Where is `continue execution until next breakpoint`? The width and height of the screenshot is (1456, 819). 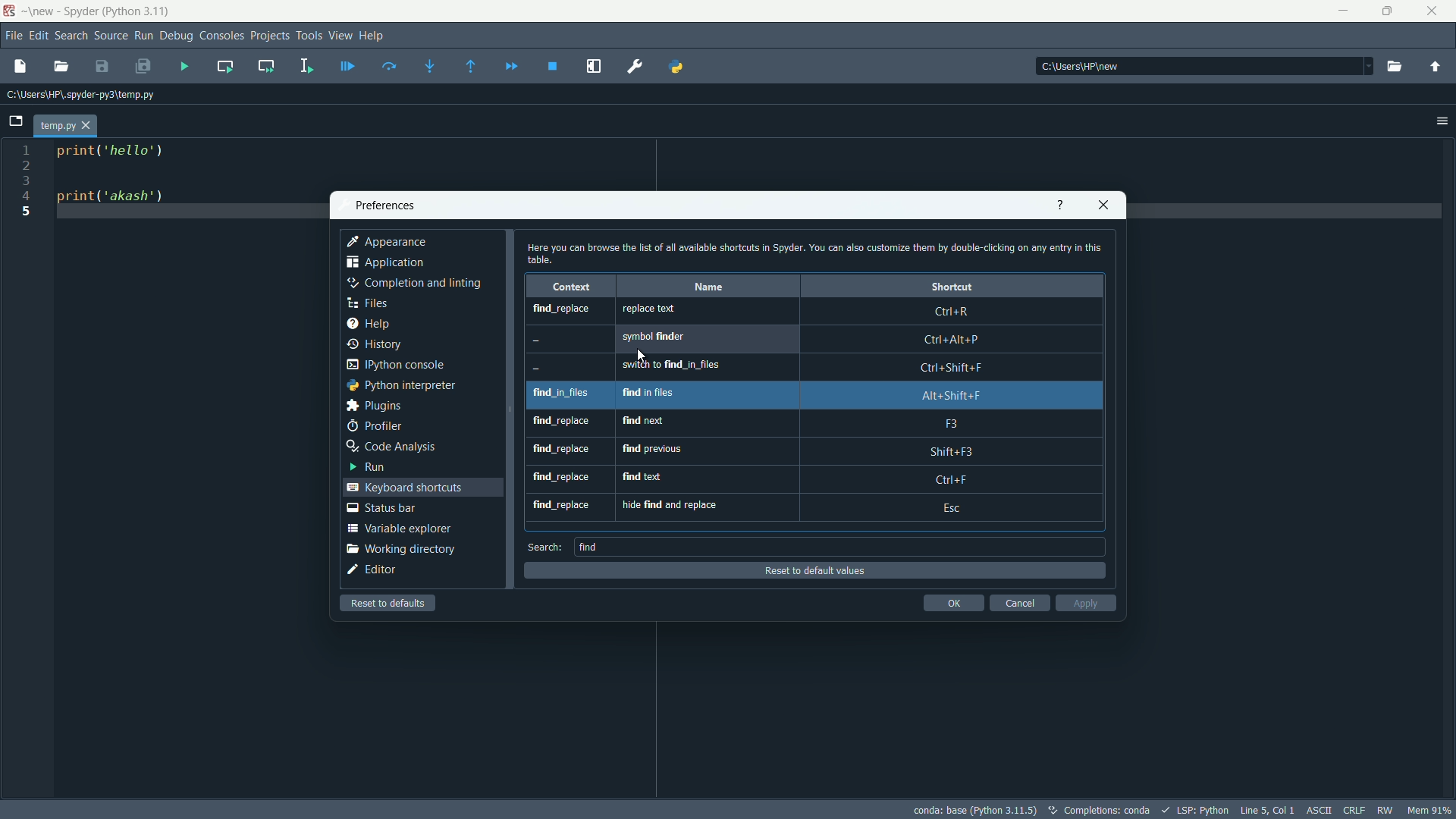 continue execution until next breakpoint is located at coordinates (513, 67).